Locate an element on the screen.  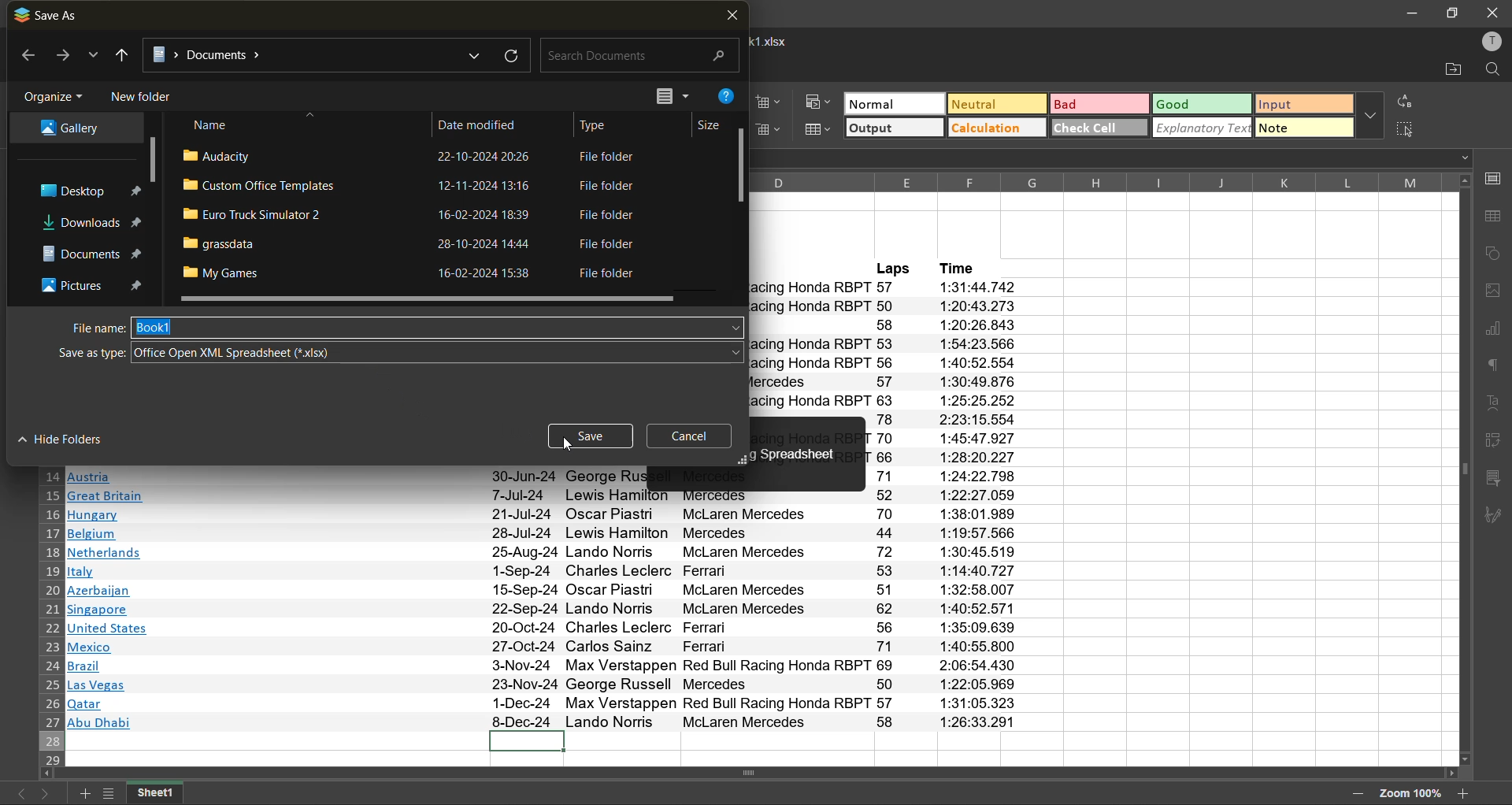
vertical scroll bar is located at coordinates (742, 167).